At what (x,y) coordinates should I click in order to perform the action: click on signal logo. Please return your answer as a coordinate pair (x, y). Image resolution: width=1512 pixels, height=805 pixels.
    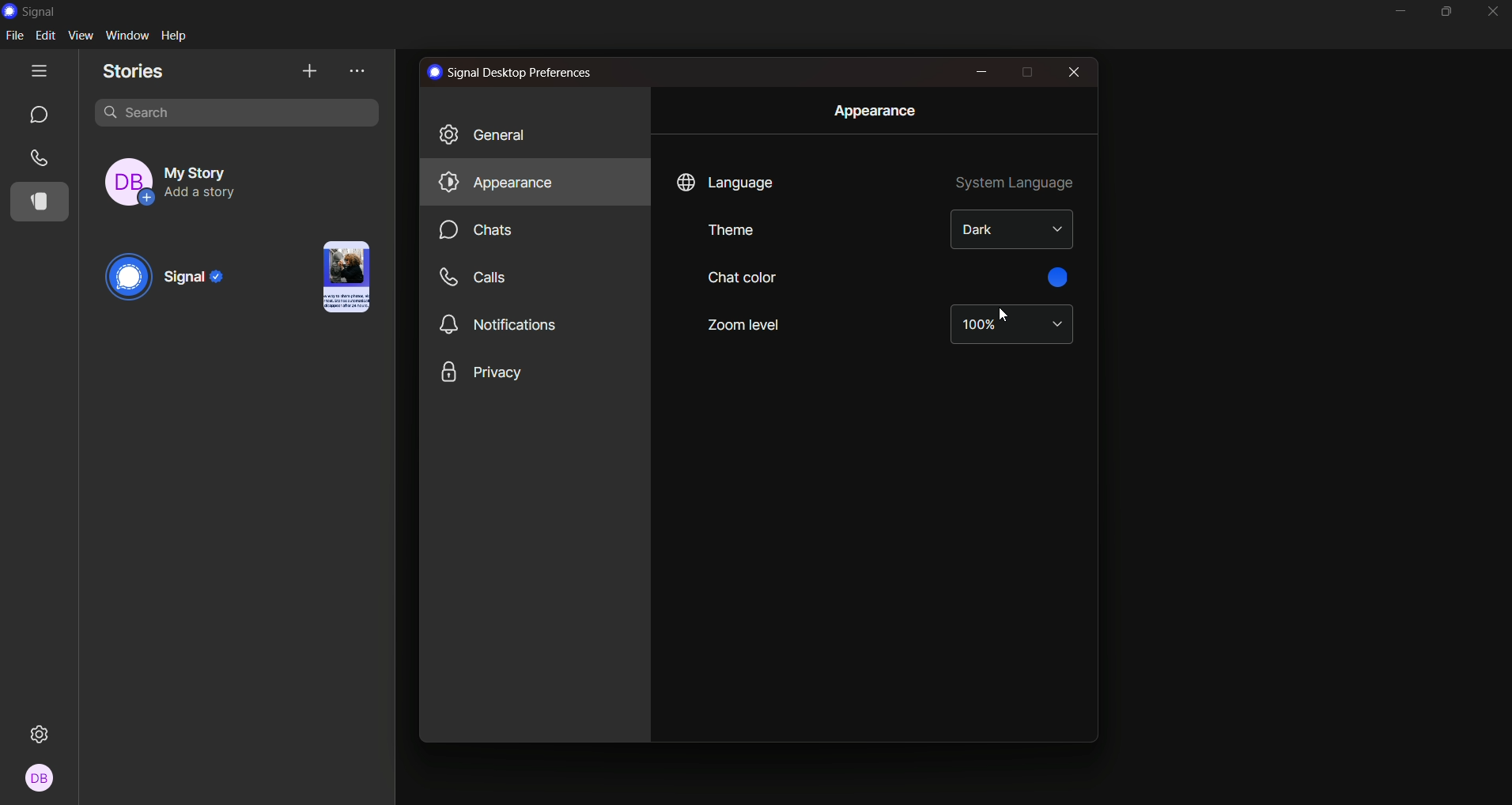
    Looking at the image, I should click on (36, 11).